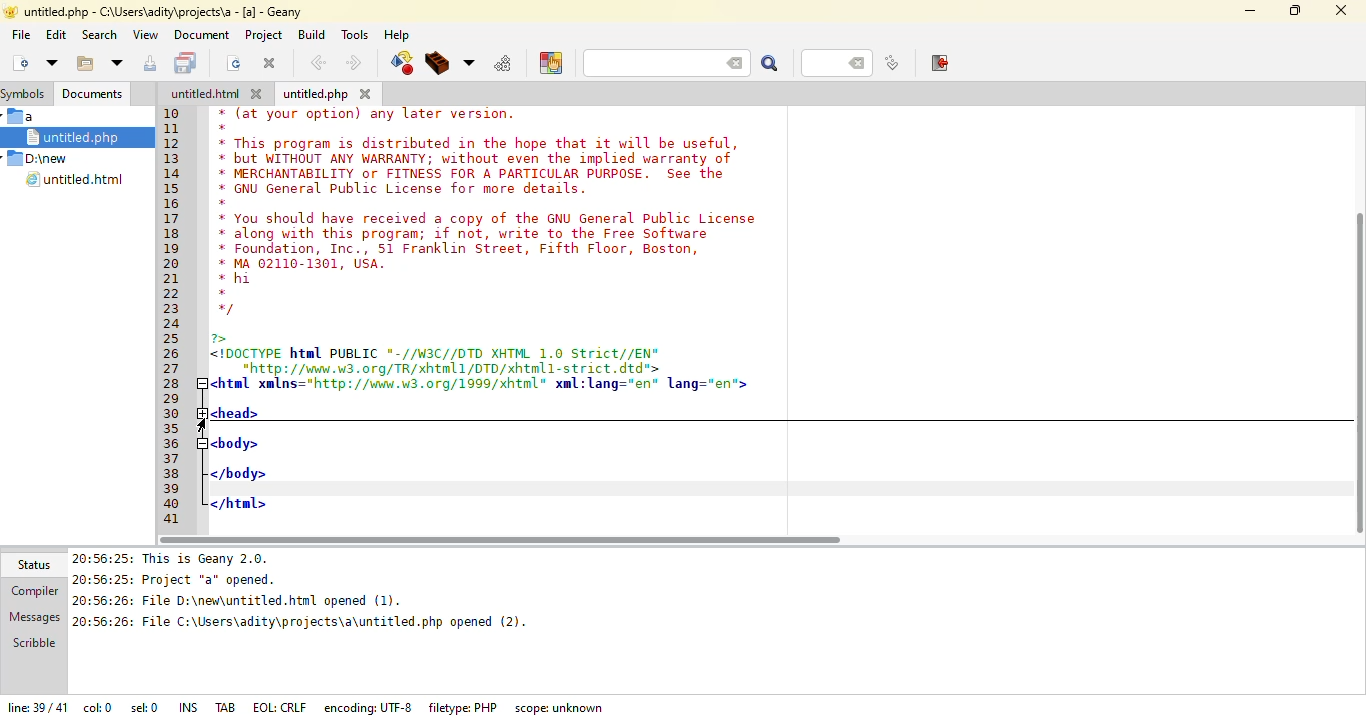 The height and width of the screenshot is (720, 1366). Describe the element at coordinates (437, 63) in the screenshot. I see `build` at that location.